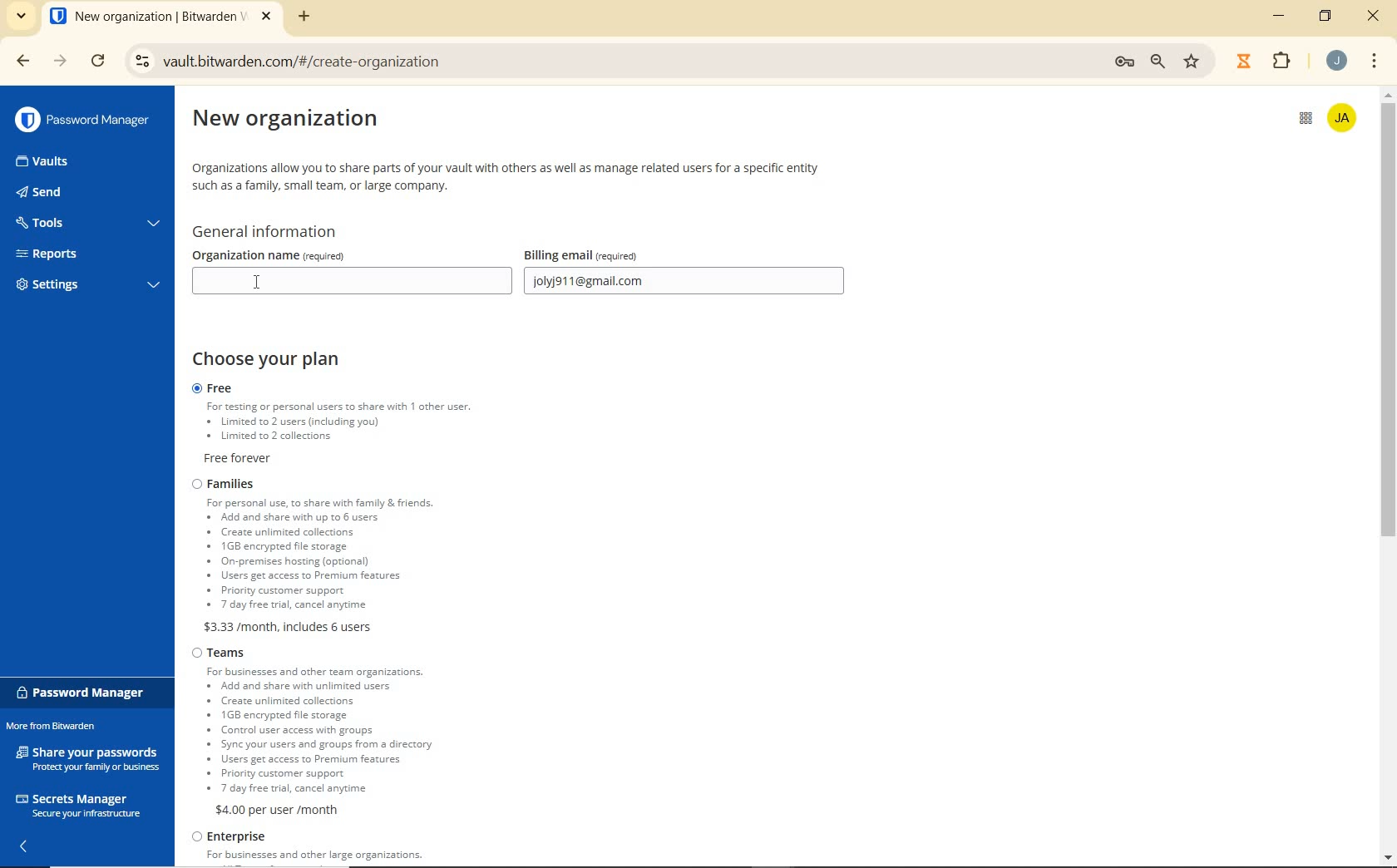  Describe the element at coordinates (28, 846) in the screenshot. I see `collapse` at that location.